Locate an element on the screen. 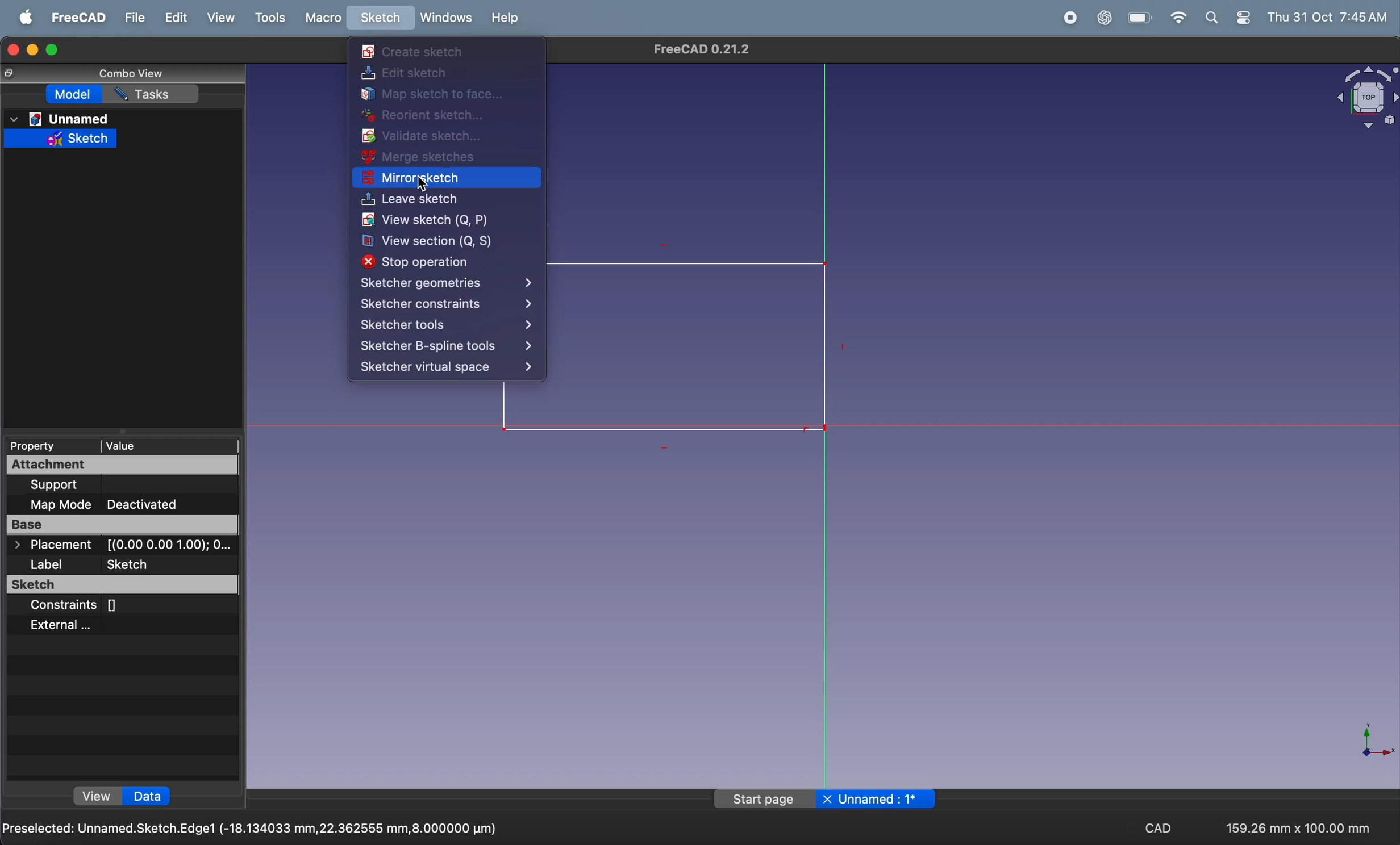  label is located at coordinates (124, 564).